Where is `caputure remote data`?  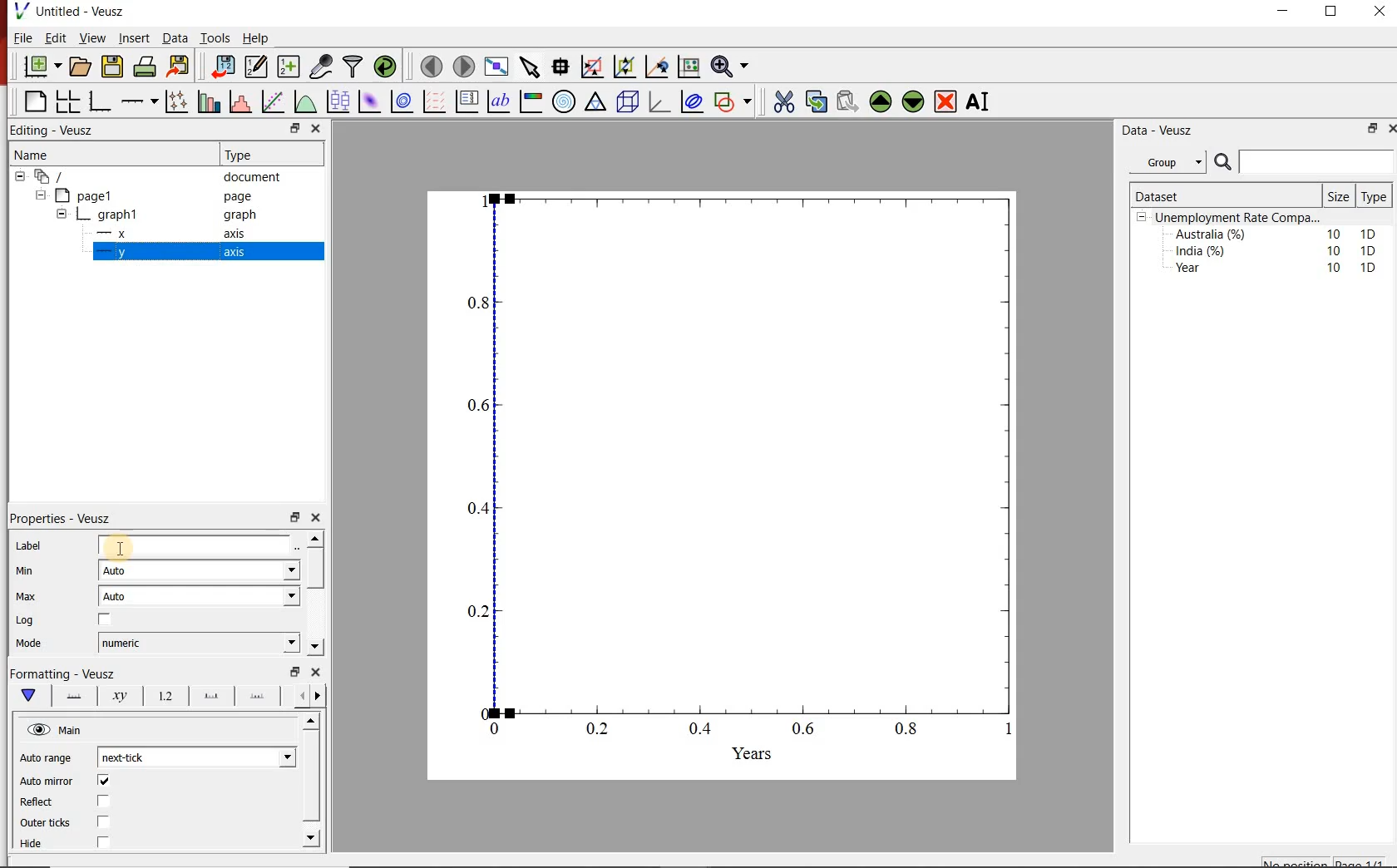 caputure remote data is located at coordinates (323, 66).